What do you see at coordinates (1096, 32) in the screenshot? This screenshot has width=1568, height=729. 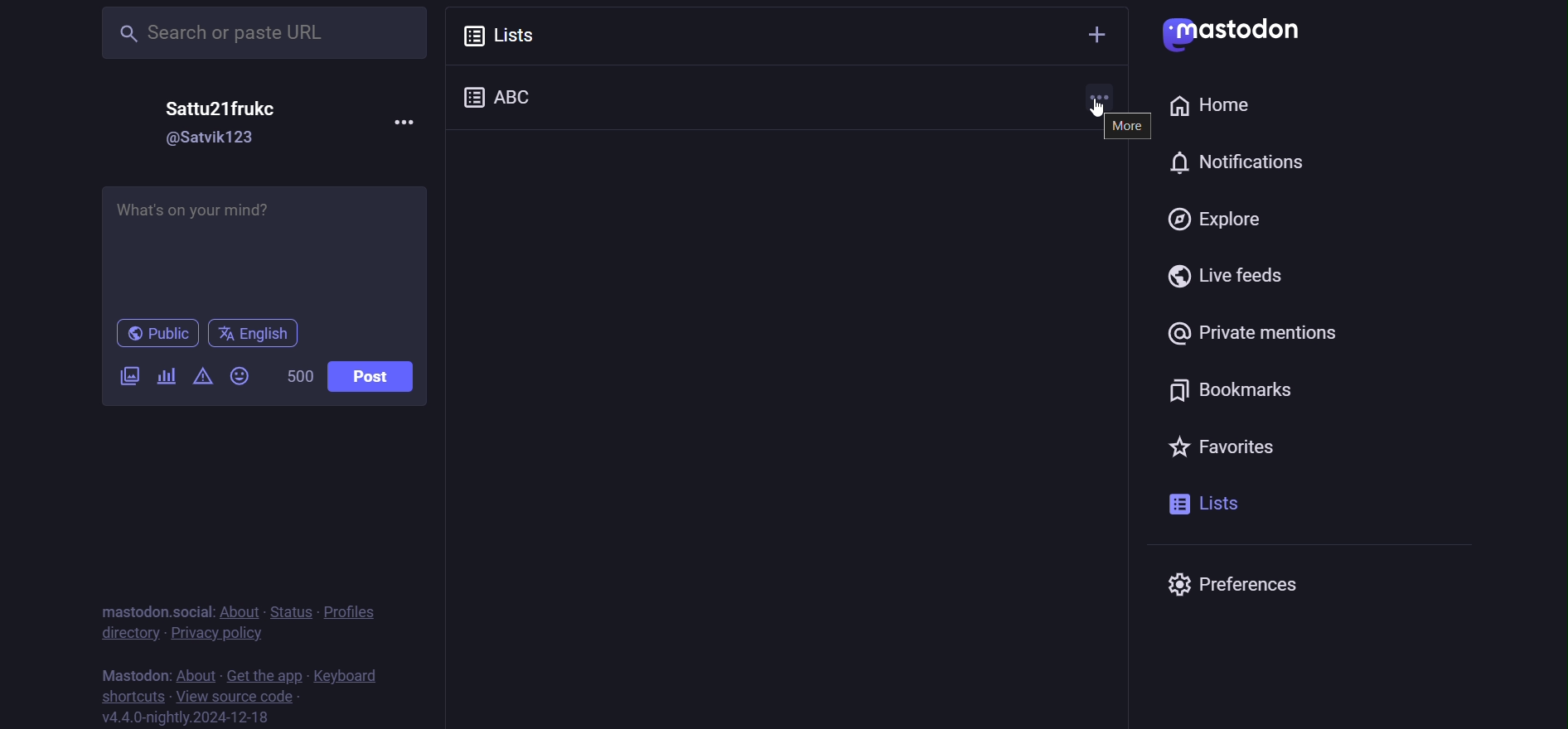 I see `add` at bounding box center [1096, 32].